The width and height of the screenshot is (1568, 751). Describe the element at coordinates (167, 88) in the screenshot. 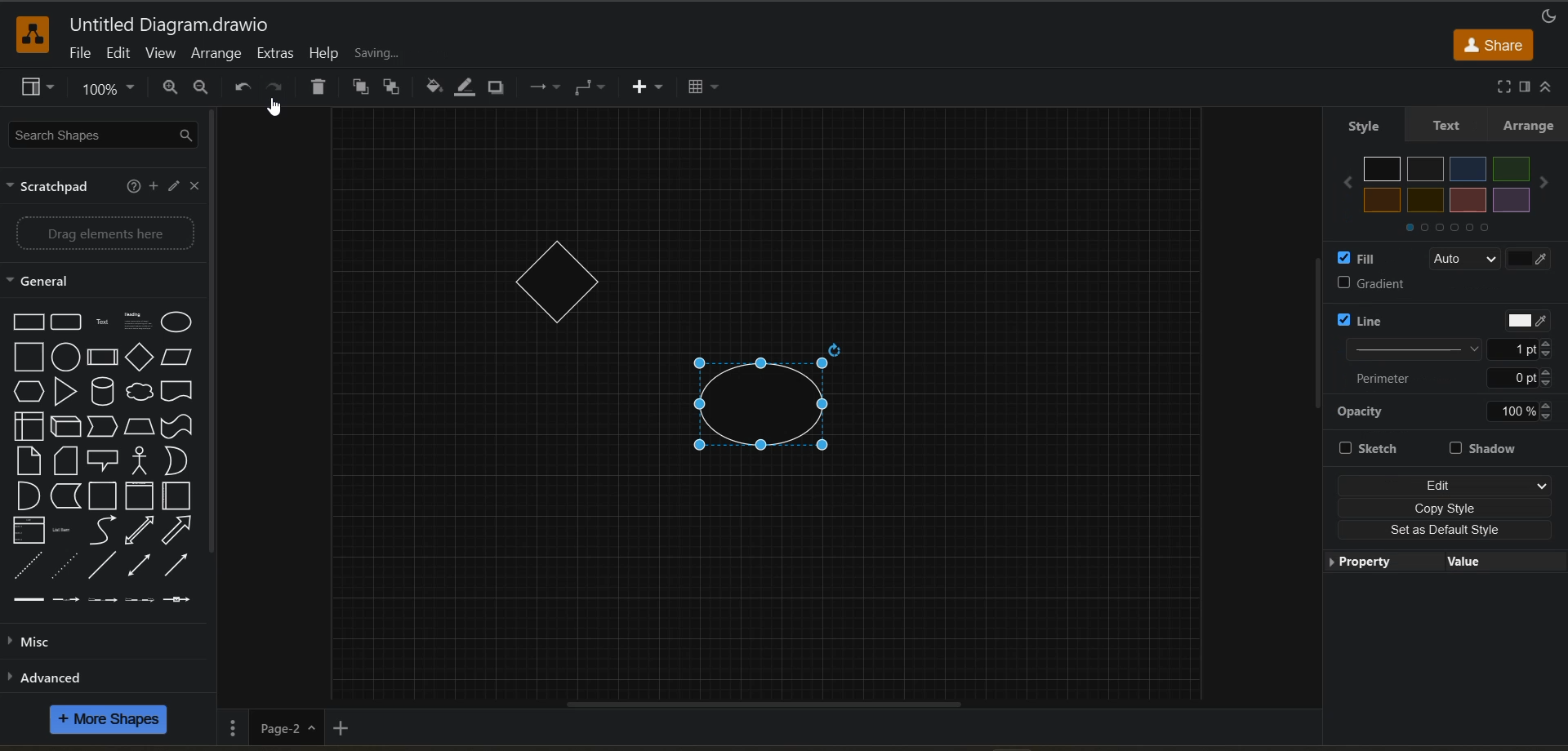

I see `zoom in` at that location.